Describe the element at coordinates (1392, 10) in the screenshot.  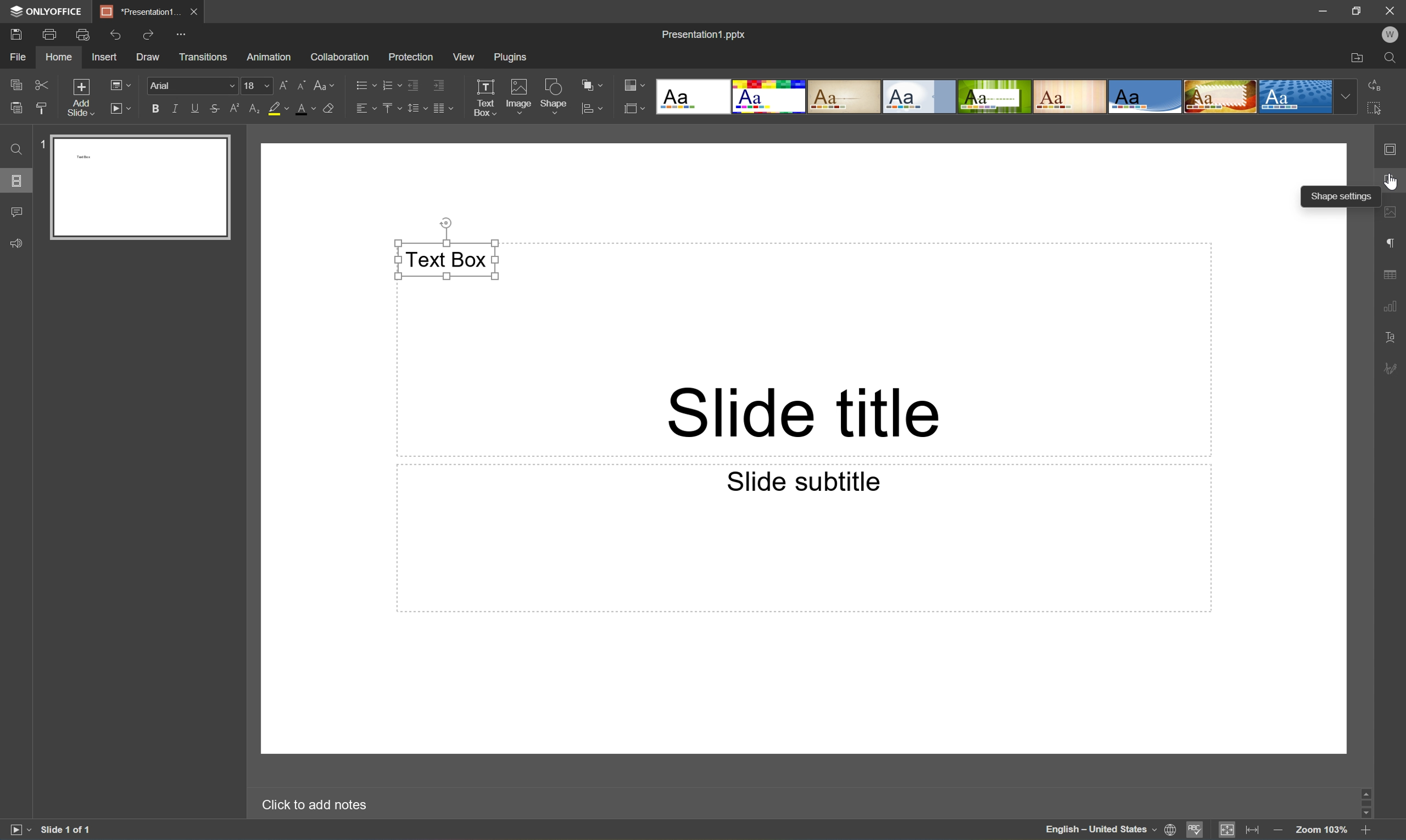
I see `Close` at that location.